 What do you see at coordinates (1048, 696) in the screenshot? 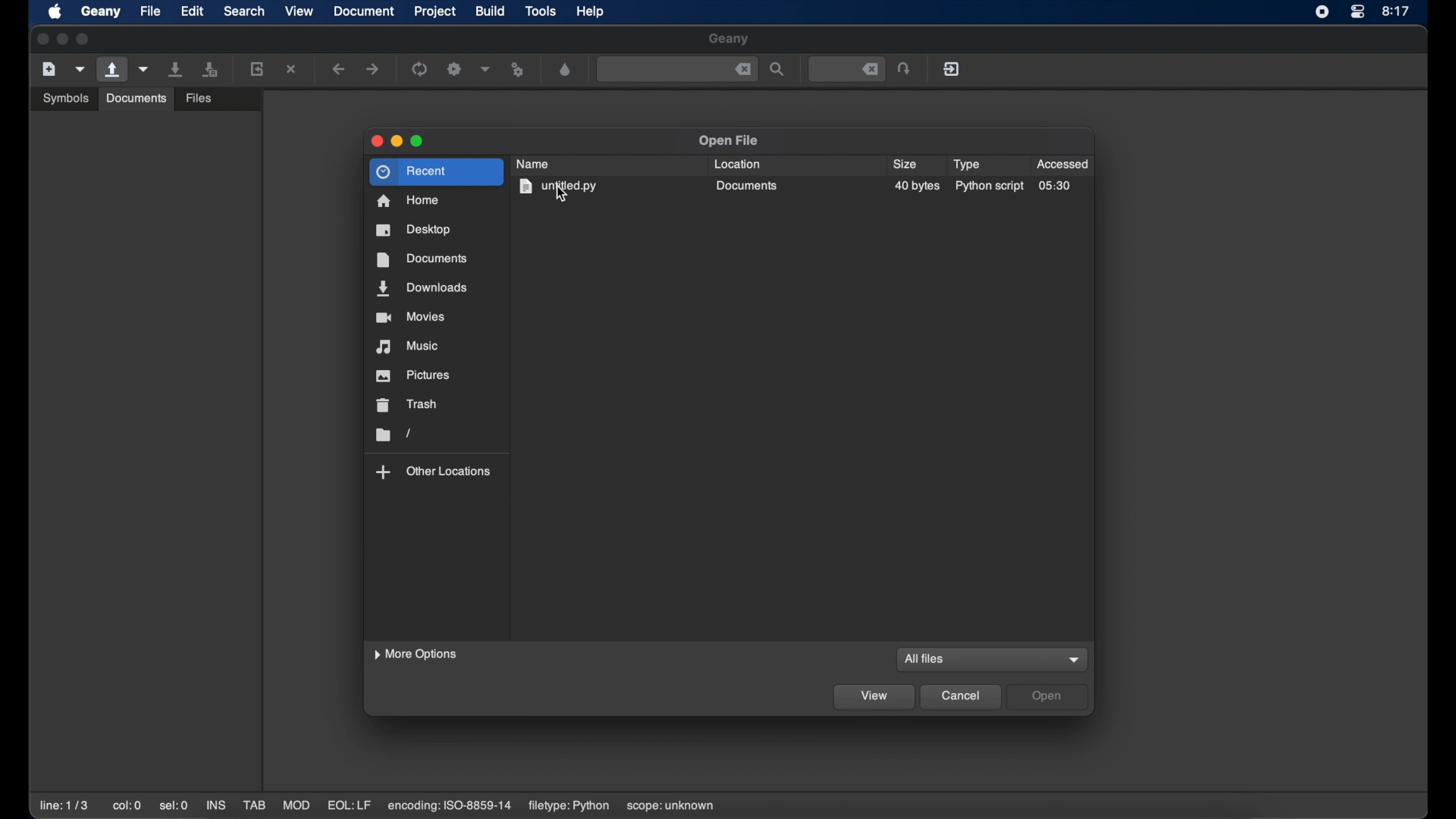
I see `open` at bounding box center [1048, 696].